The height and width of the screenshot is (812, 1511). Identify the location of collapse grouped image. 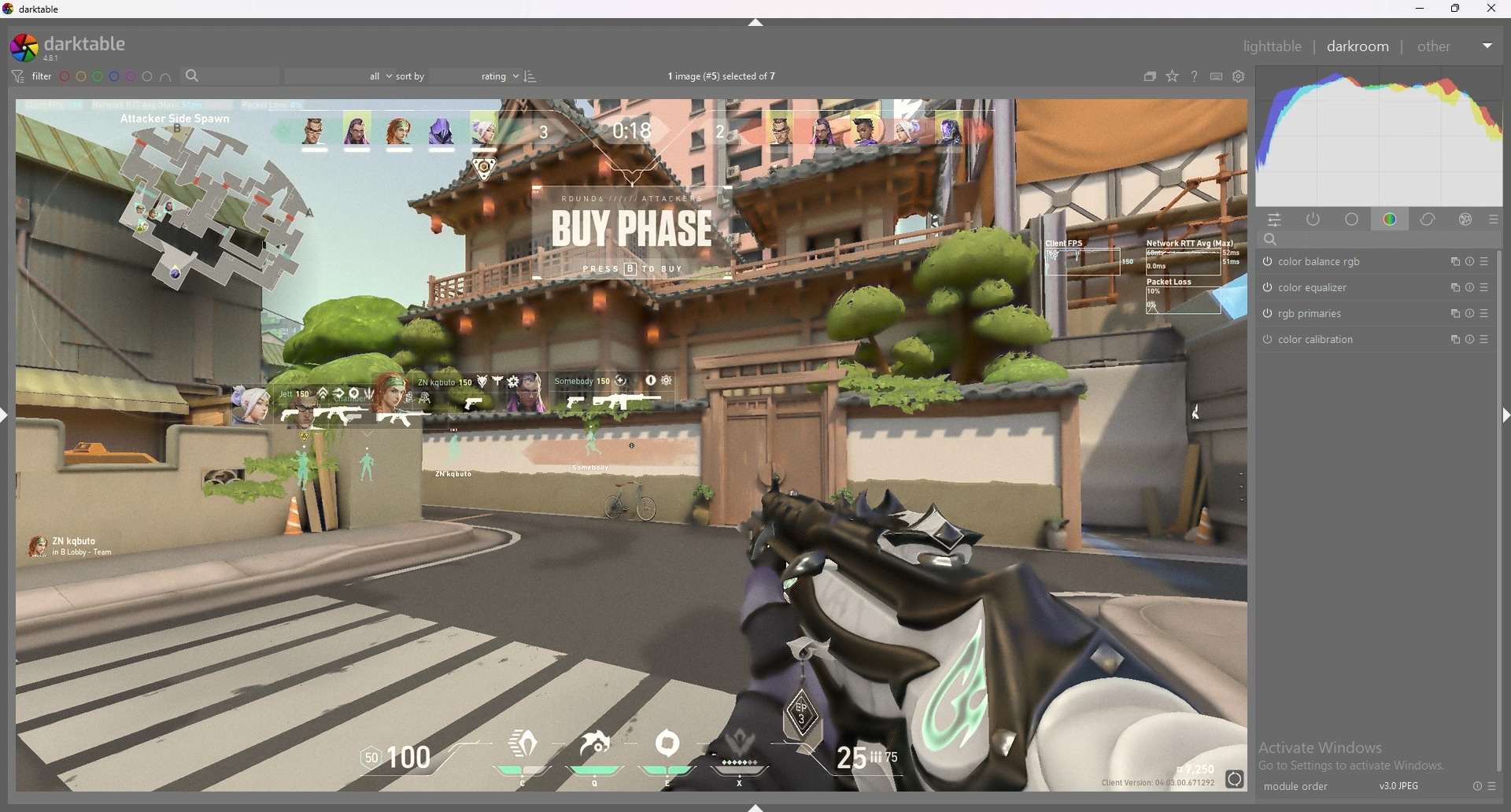
(1150, 76).